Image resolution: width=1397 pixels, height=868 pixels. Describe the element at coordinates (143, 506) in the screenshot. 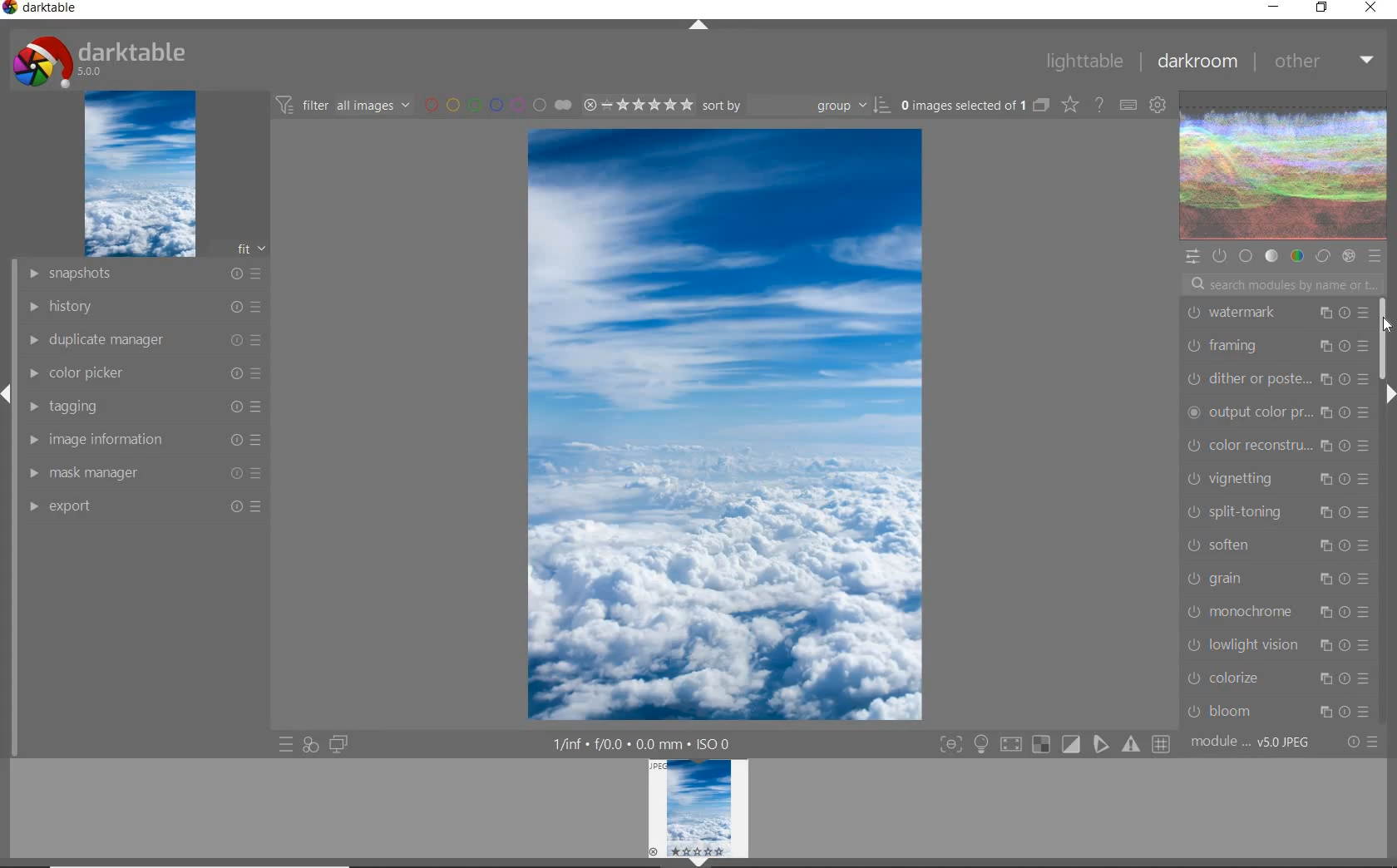

I see `EXPORT` at that location.